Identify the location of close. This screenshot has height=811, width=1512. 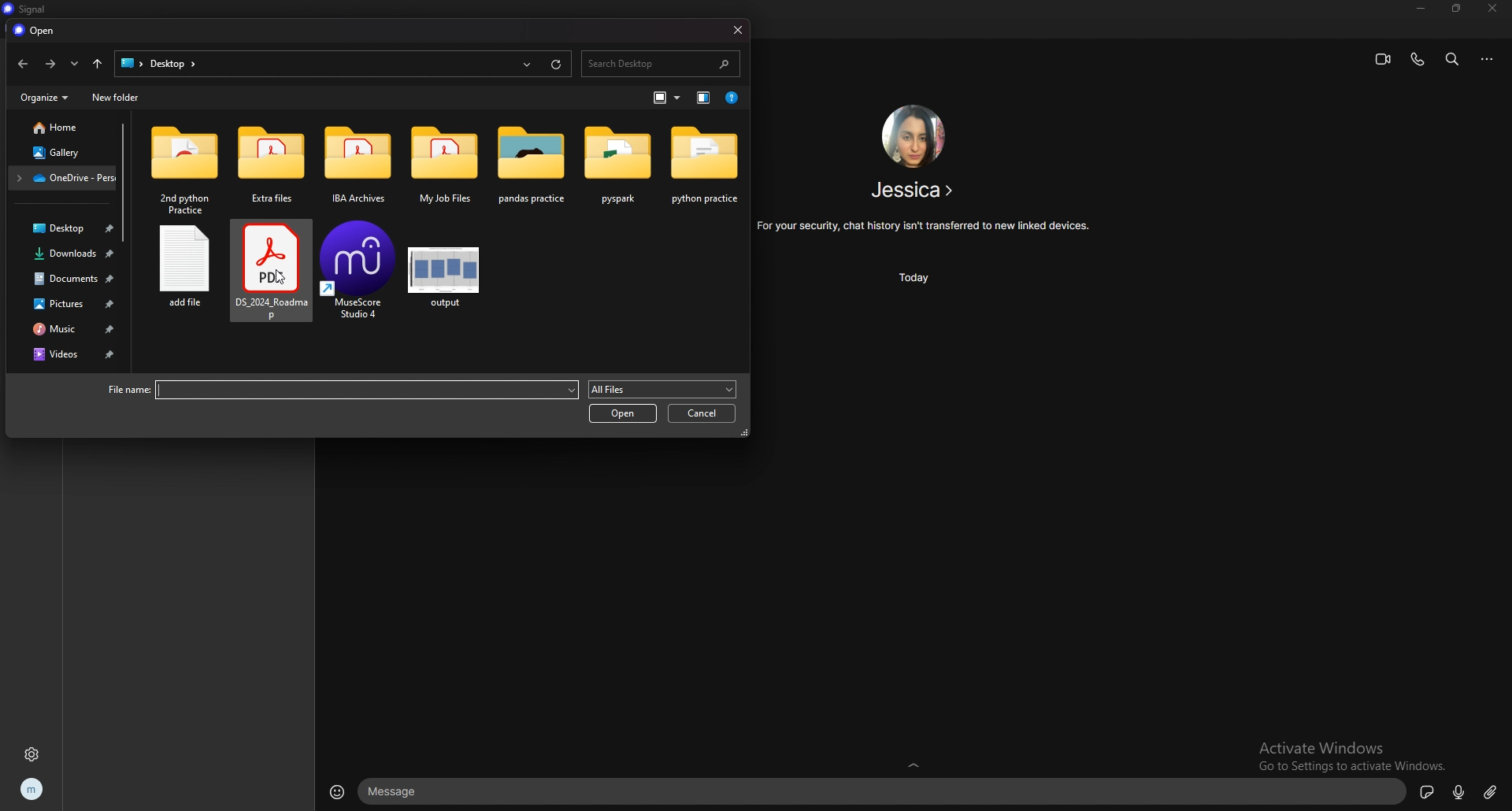
(1494, 9).